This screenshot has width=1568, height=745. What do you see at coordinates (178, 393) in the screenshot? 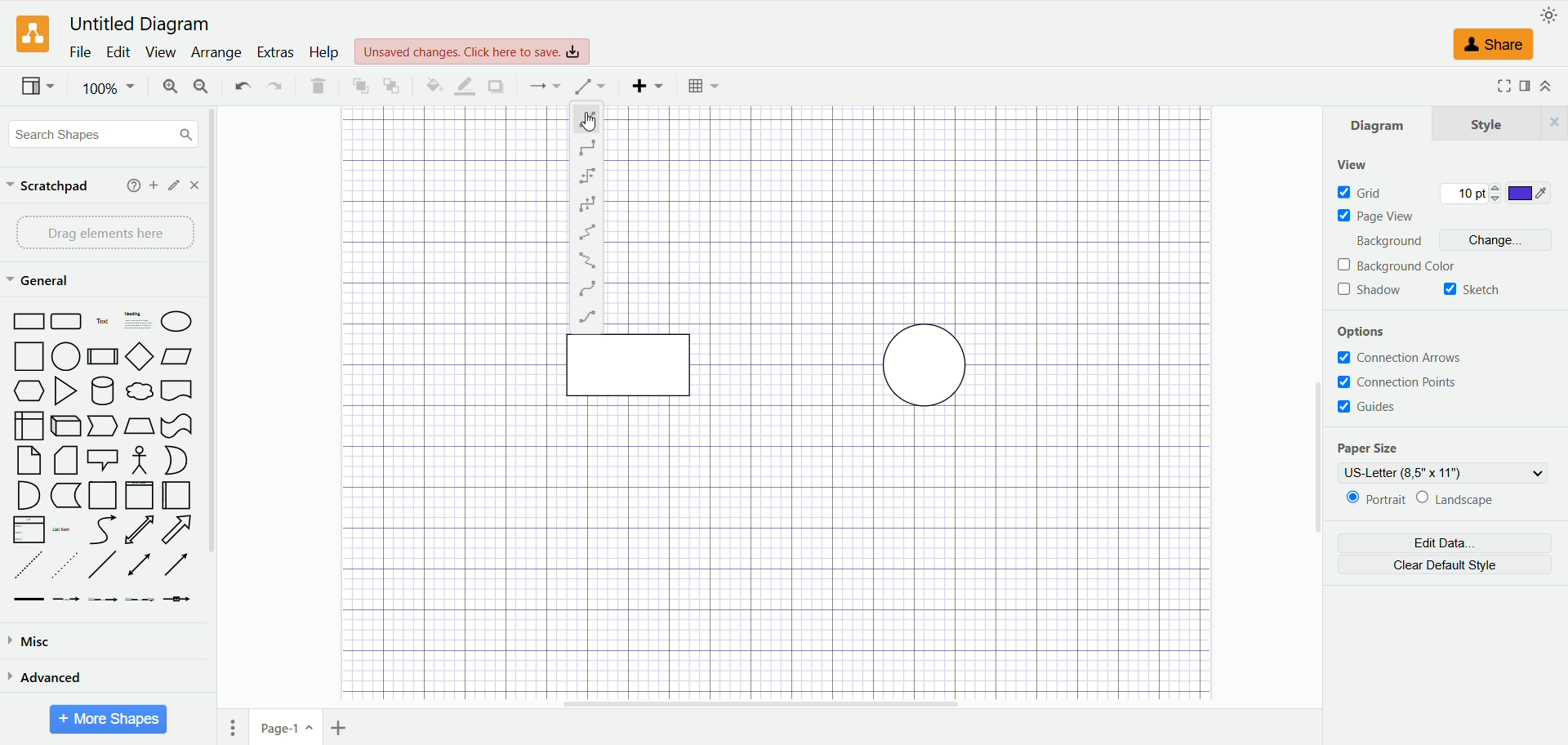
I see `Bookmar` at bounding box center [178, 393].